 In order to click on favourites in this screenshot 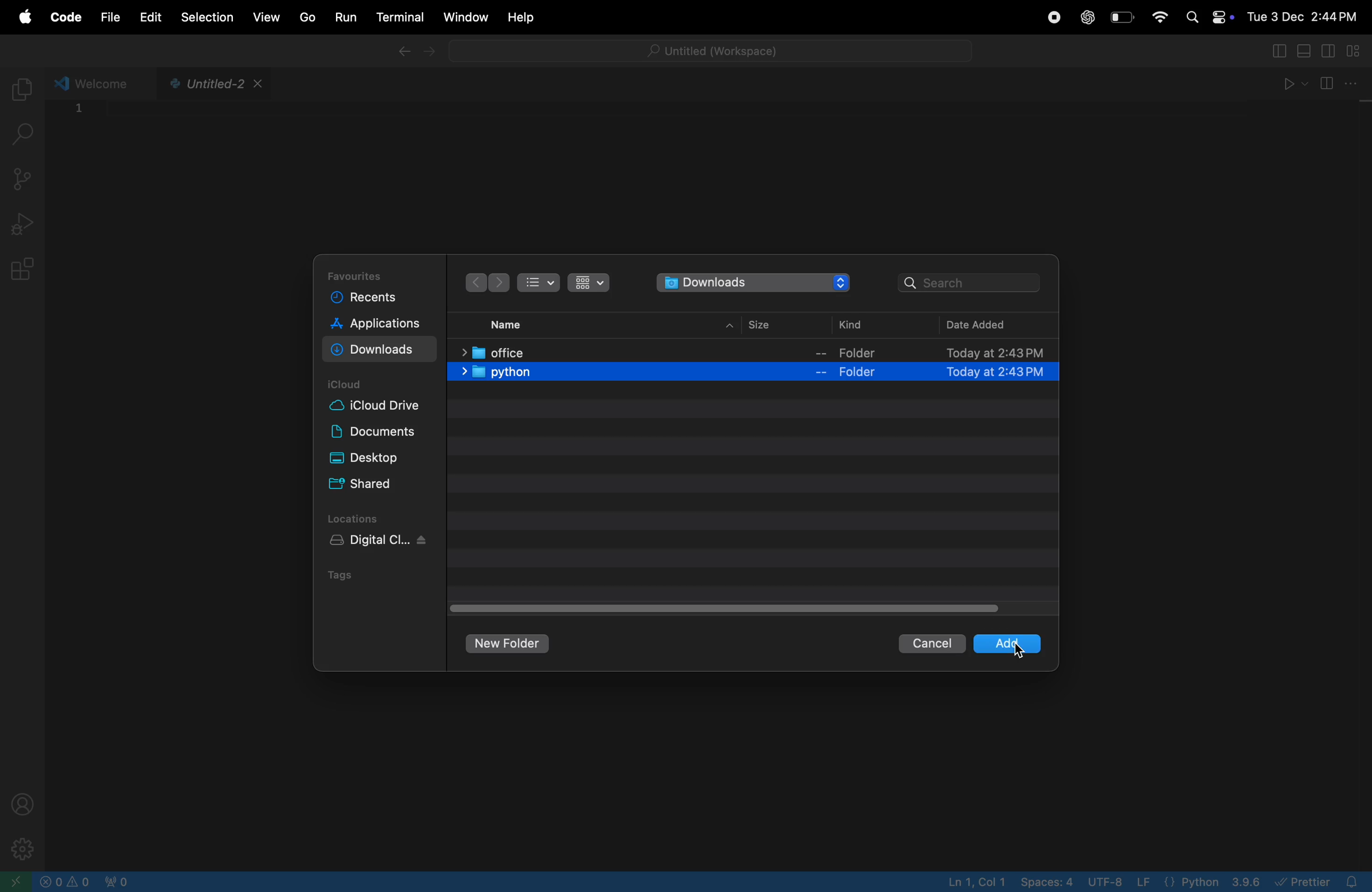, I will do `click(362, 274)`.